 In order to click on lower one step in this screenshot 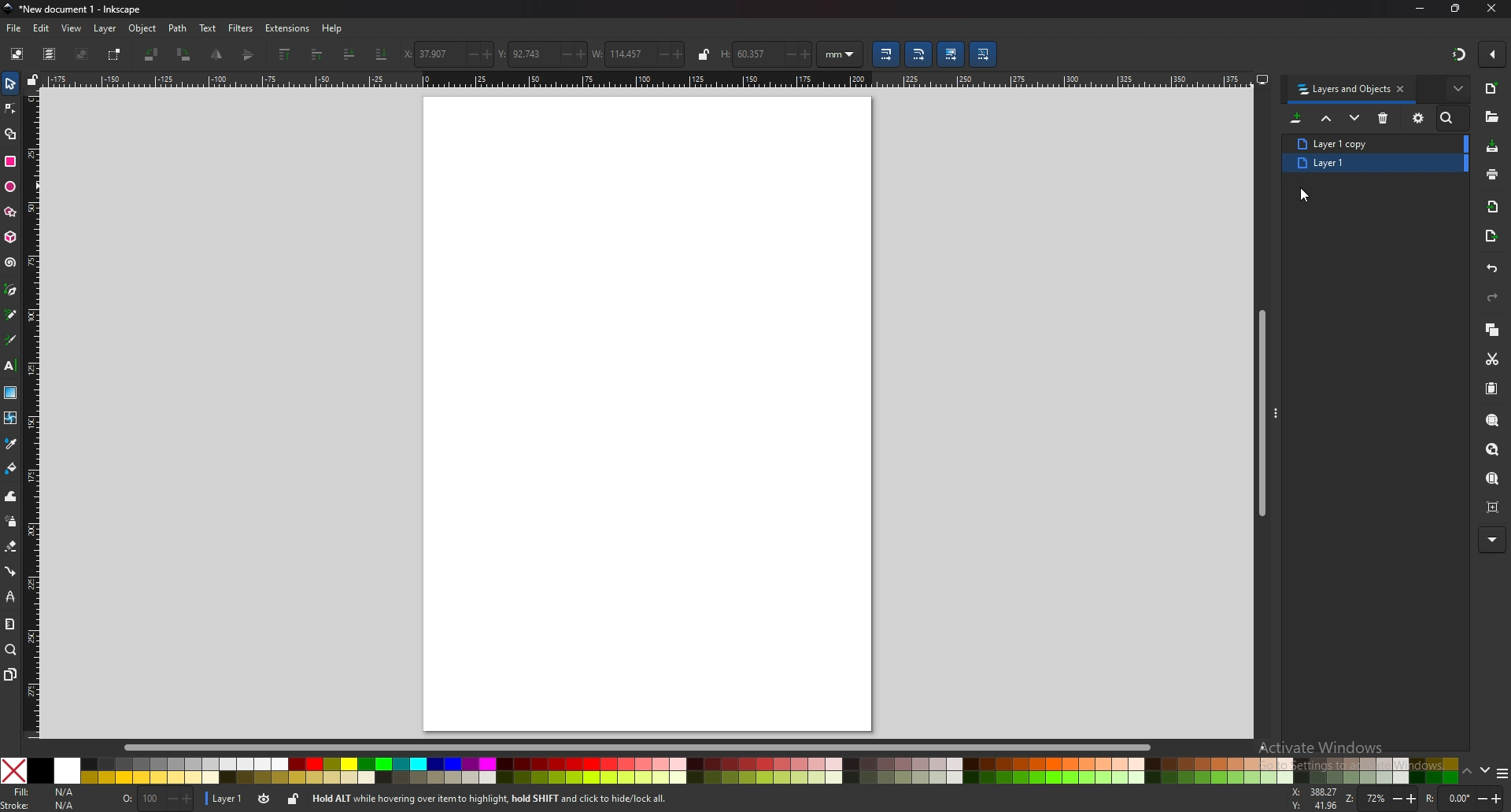, I will do `click(349, 54)`.